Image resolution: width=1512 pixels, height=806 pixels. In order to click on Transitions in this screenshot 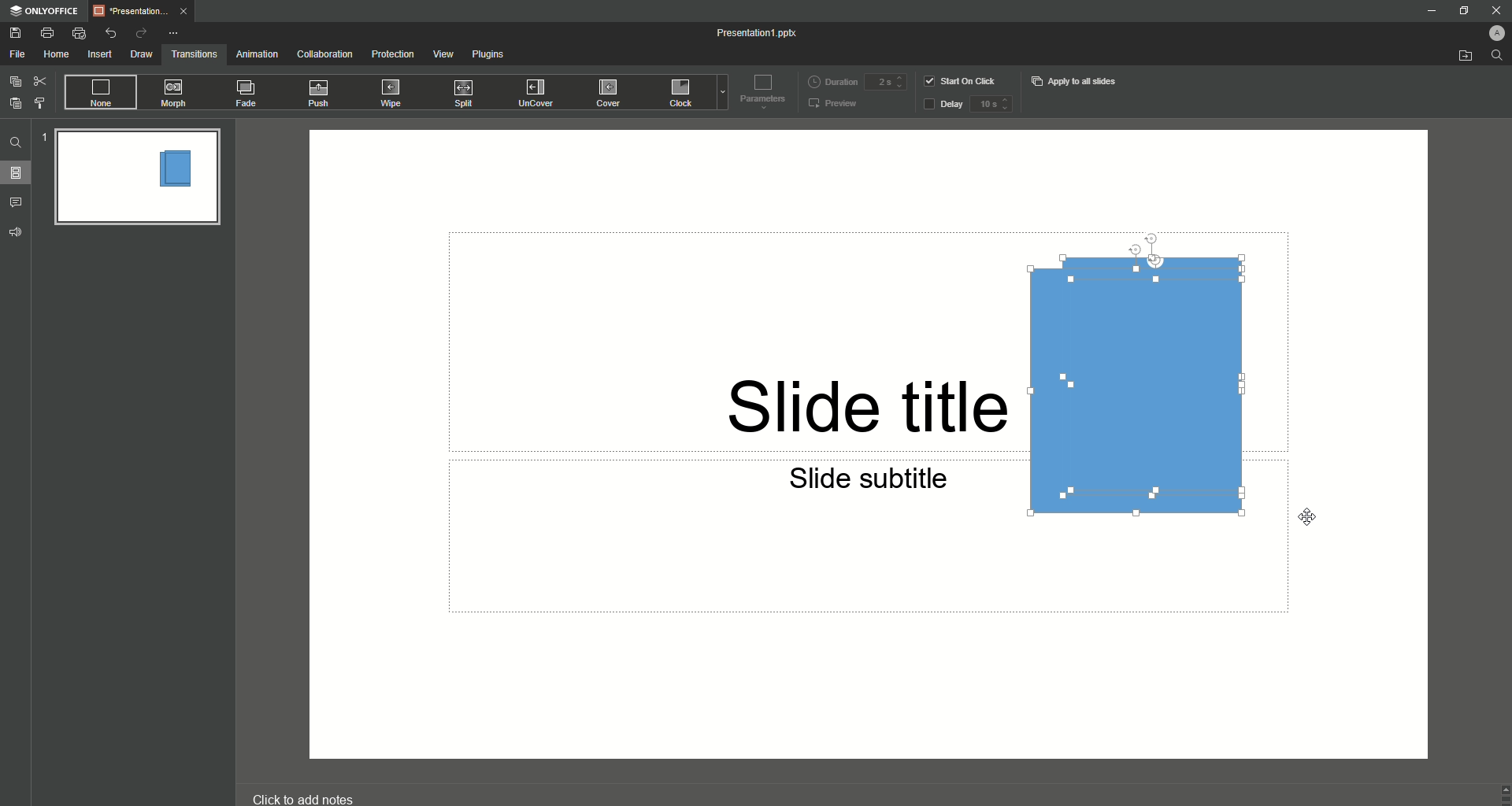, I will do `click(195, 53)`.